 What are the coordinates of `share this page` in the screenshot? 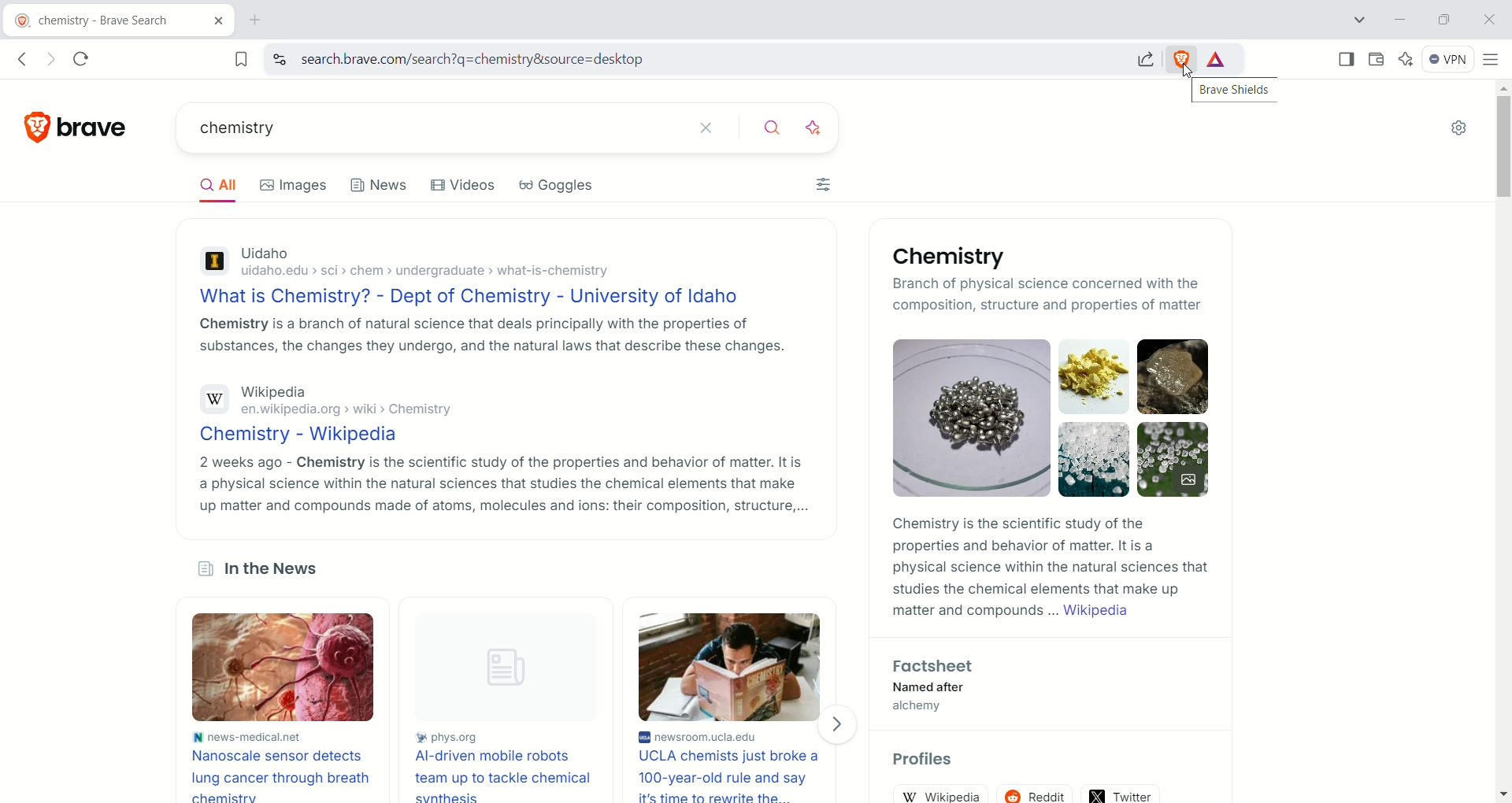 It's located at (1142, 57).